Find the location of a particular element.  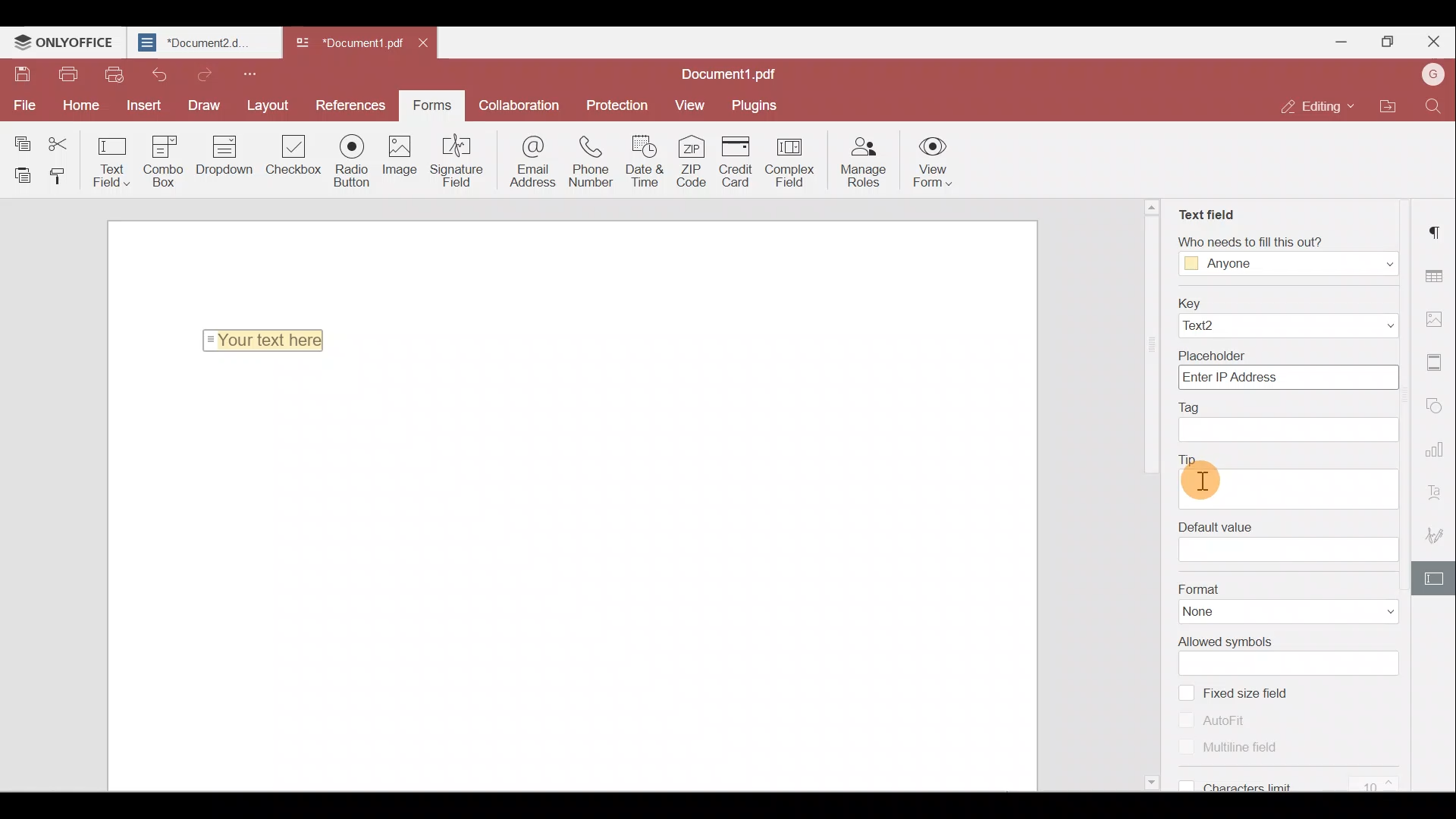

ZIP Code is located at coordinates (690, 164).